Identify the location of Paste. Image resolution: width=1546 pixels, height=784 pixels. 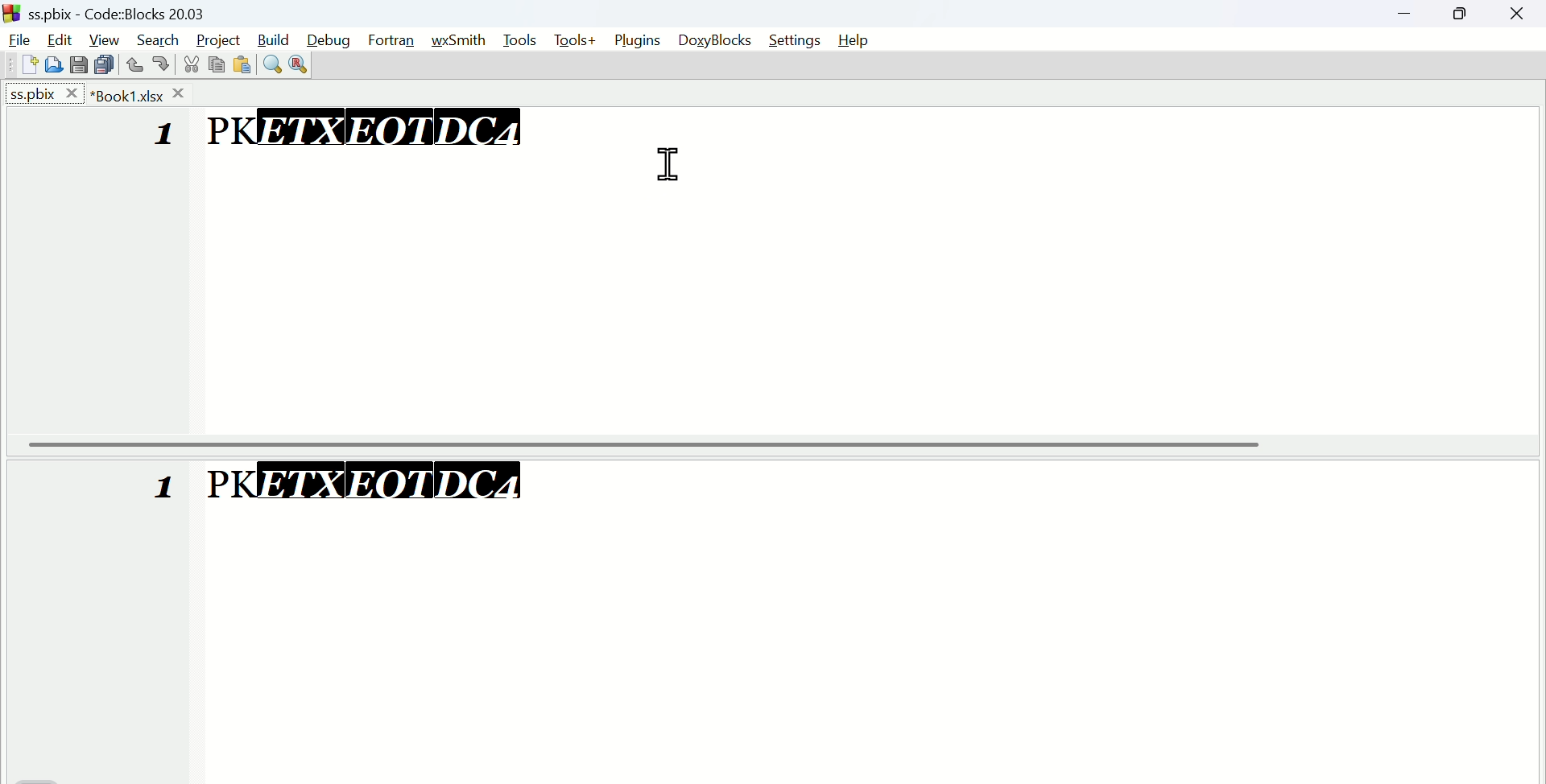
(241, 64).